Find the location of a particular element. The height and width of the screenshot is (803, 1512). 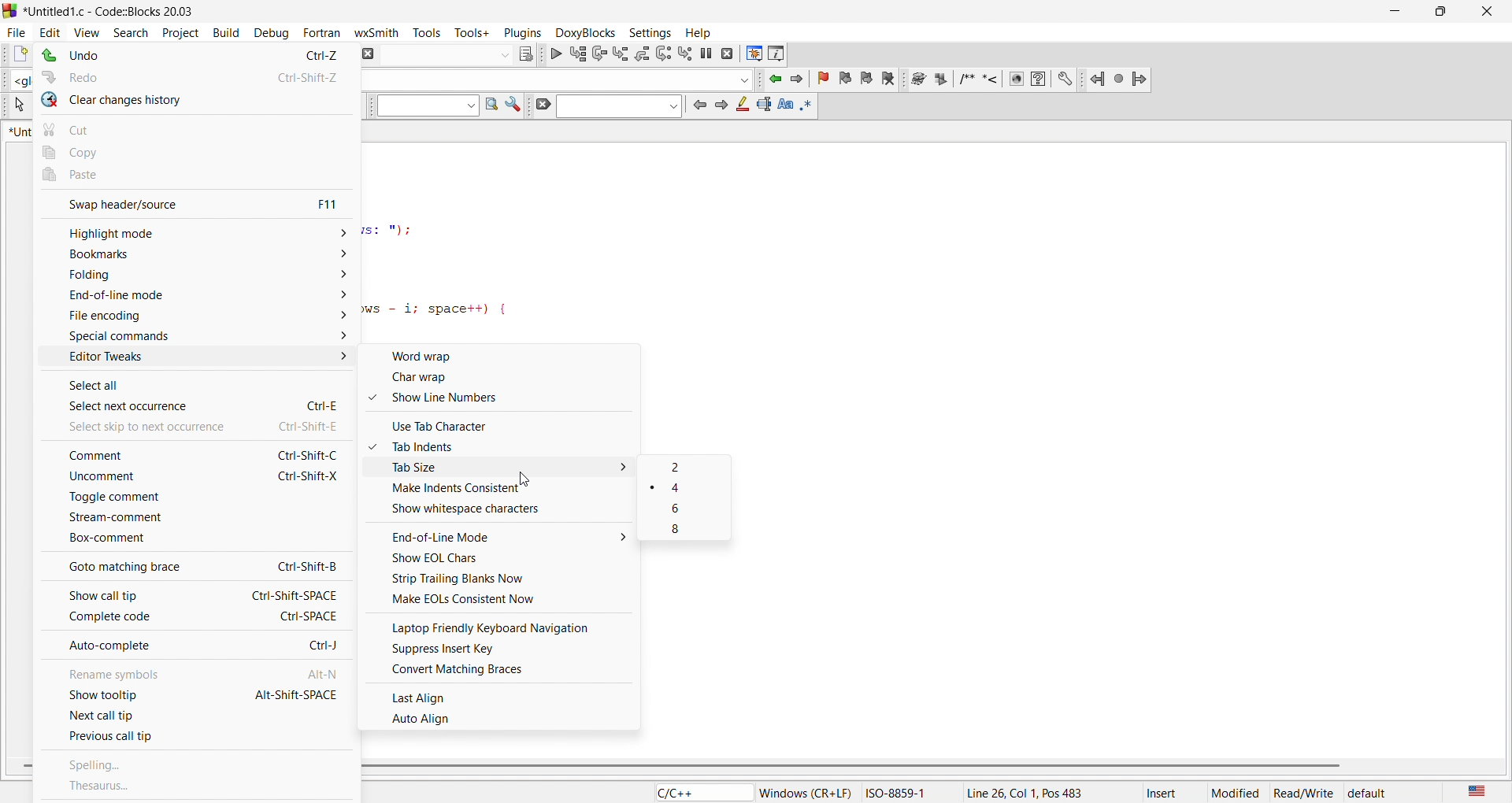

bookmarks is located at coordinates (195, 257).